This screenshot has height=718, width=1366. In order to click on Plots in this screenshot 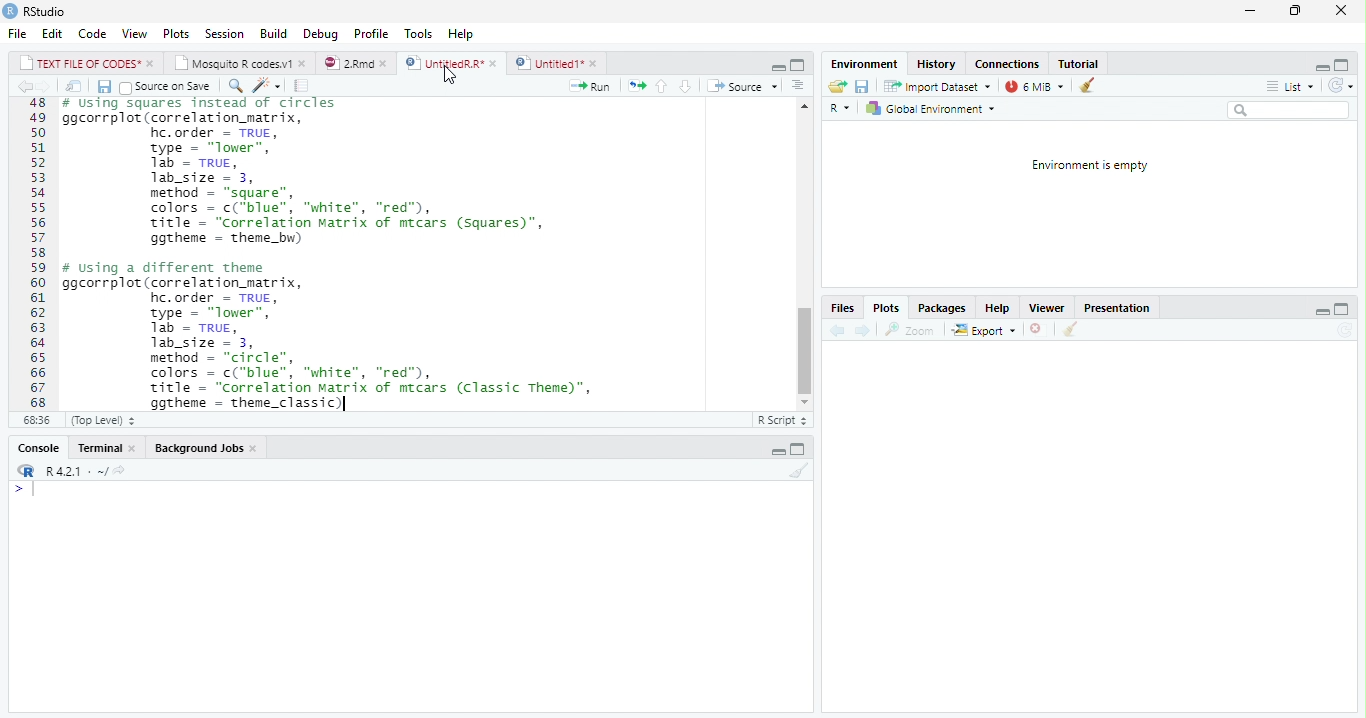, I will do `click(888, 309)`.